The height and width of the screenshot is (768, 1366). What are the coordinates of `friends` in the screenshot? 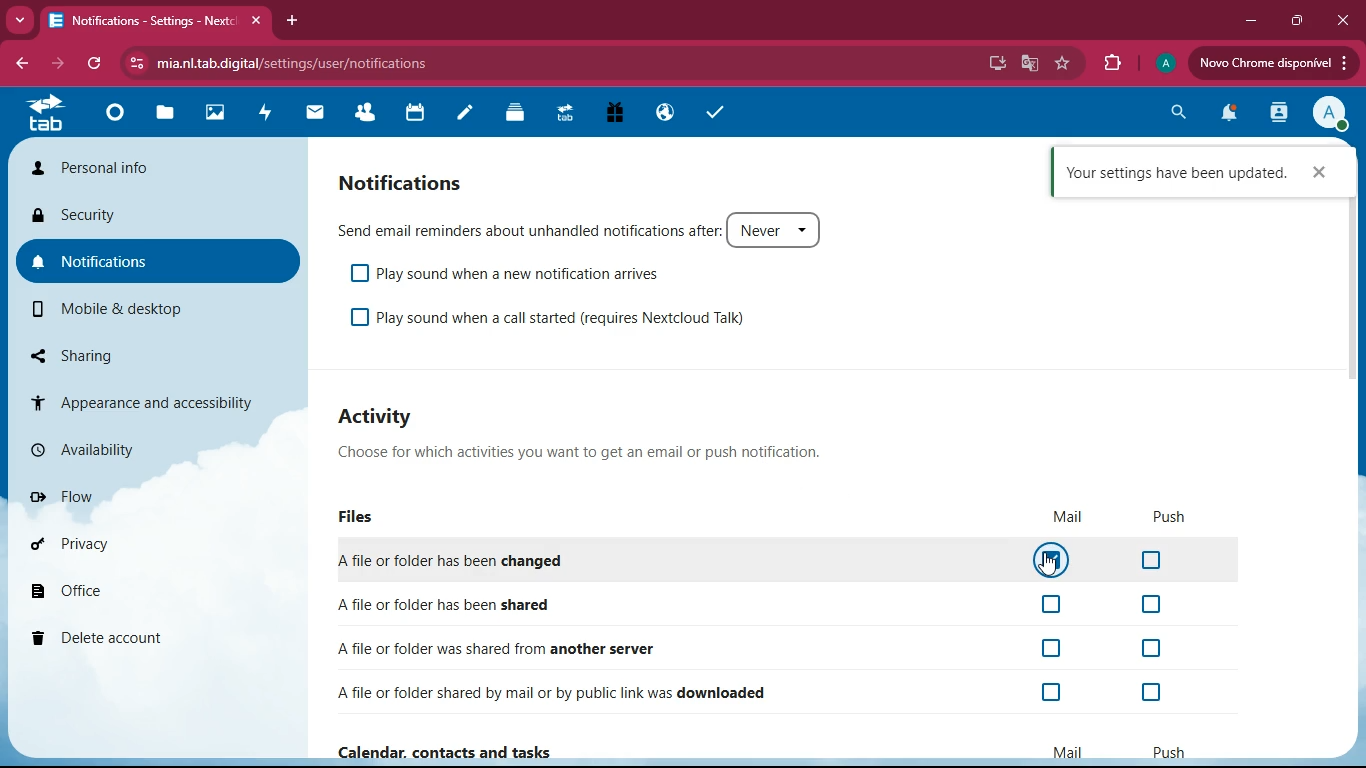 It's located at (365, 114).